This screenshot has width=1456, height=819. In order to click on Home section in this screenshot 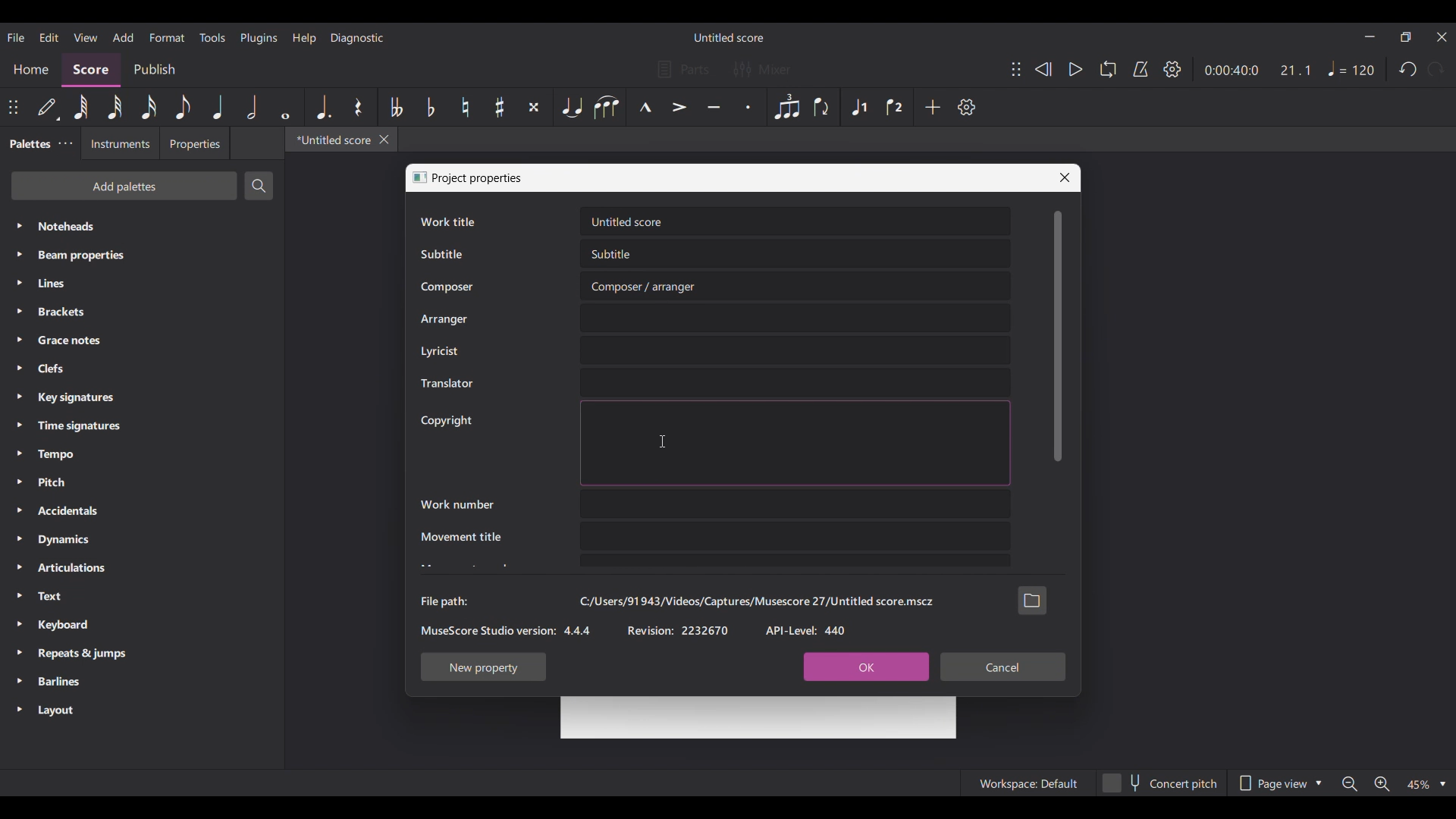, I will do `click(30, 71)`.